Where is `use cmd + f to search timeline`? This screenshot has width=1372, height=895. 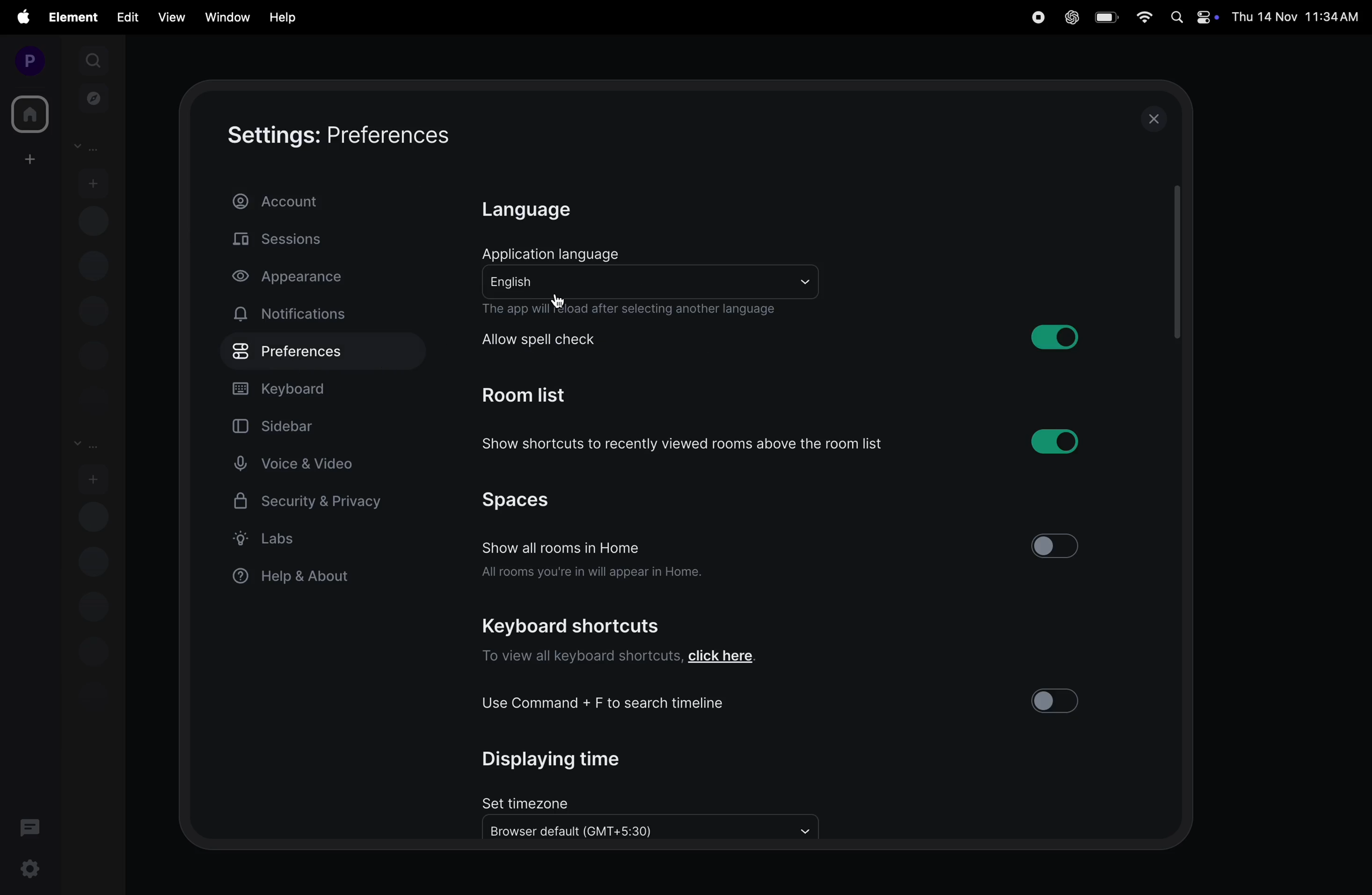
use cmd + f to search timeline is located at coordinates (618, 706).